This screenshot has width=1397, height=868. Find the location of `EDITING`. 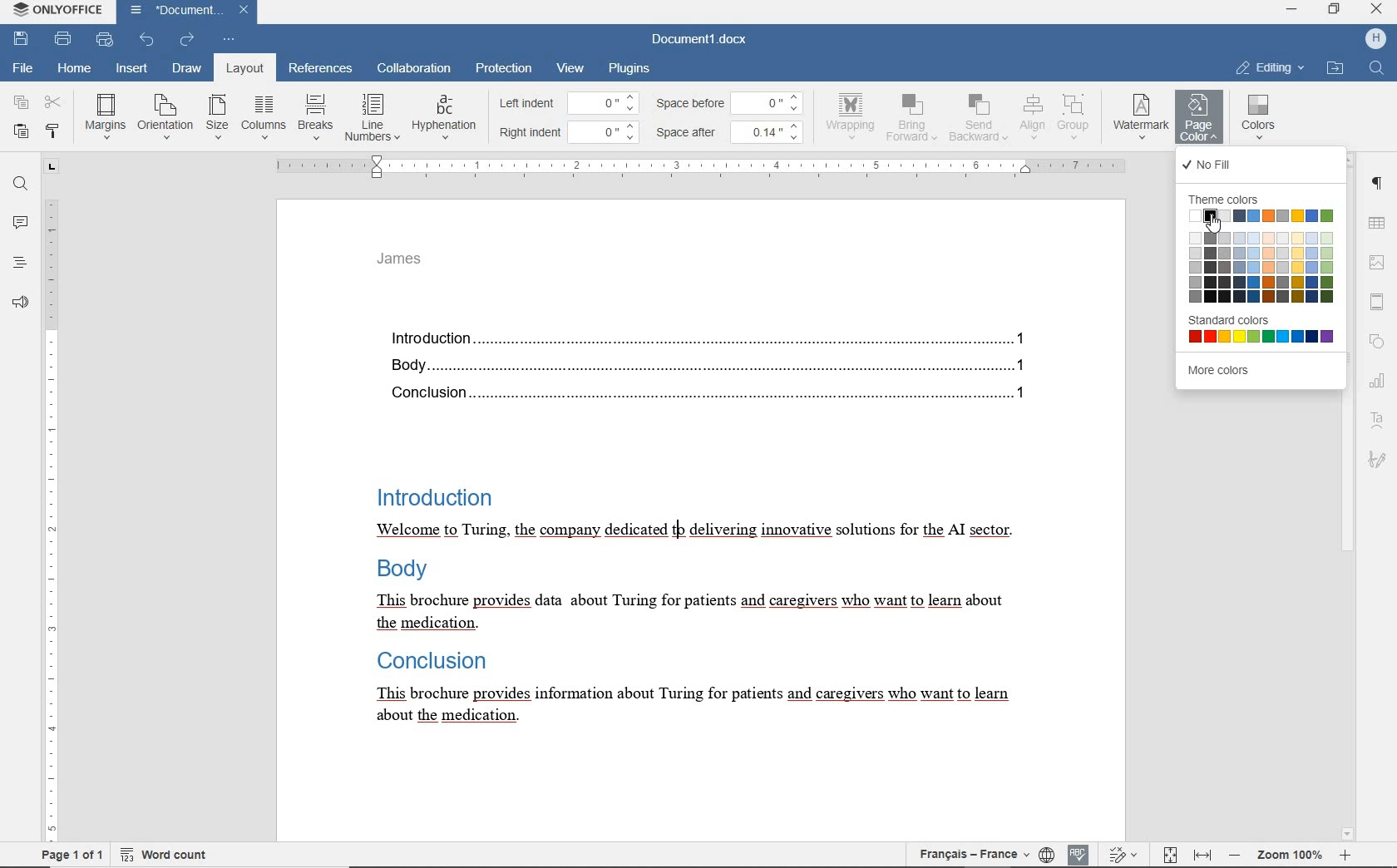

EDITING is located at coordinates (1271, 68).